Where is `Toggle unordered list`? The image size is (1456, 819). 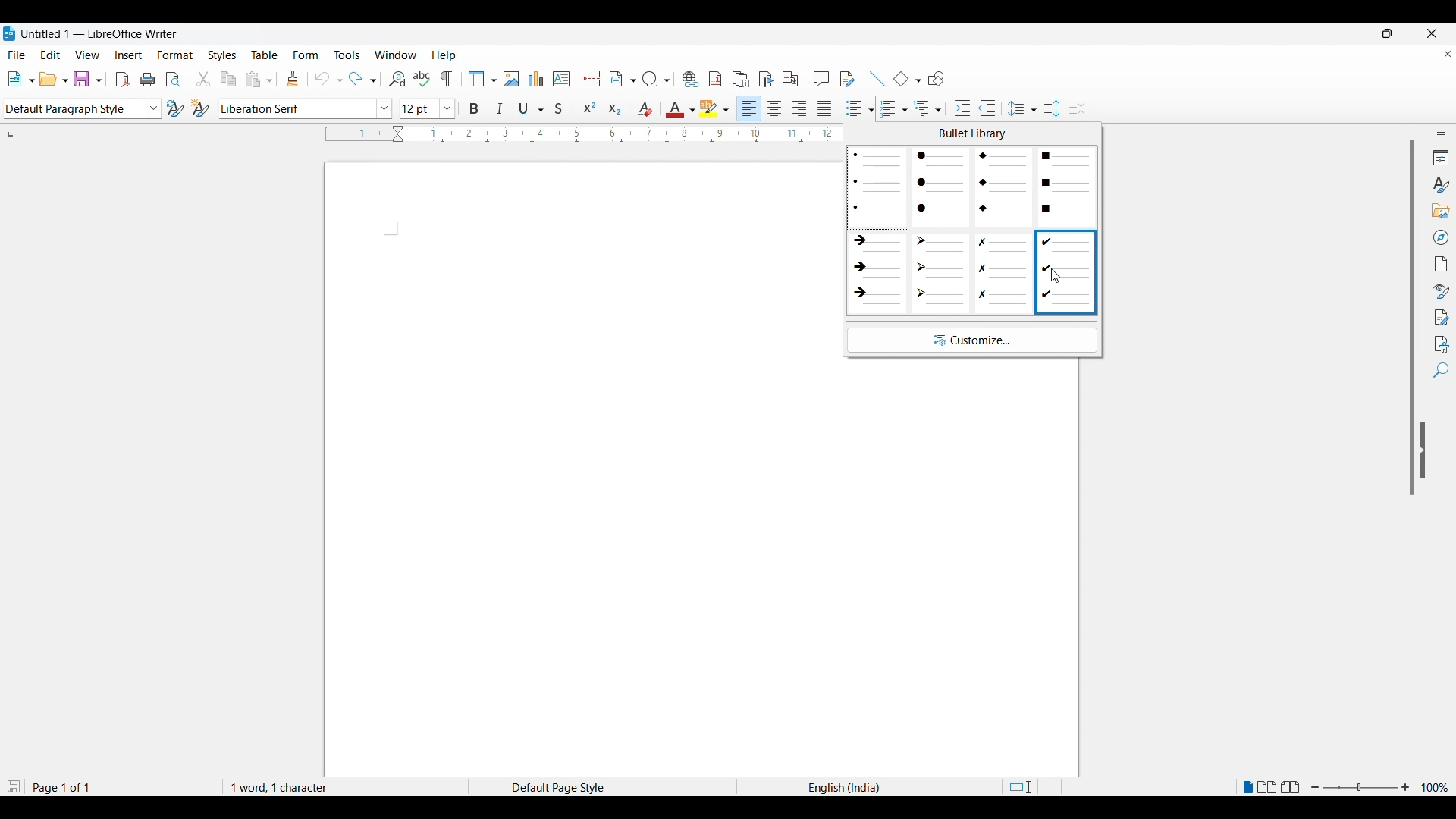 Toggle unordered list is located at coordinates (856, 105).